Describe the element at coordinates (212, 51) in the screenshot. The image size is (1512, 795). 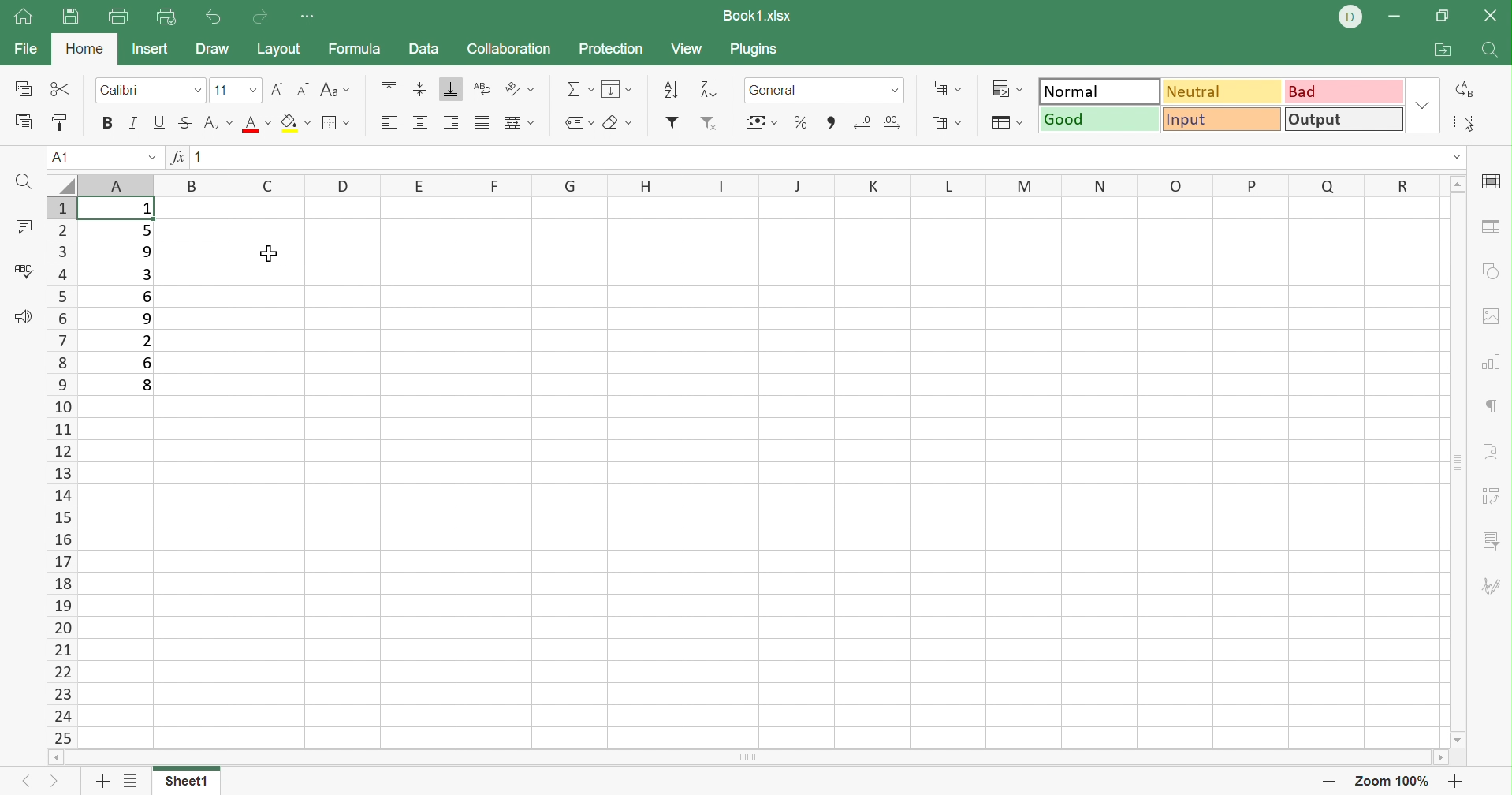
I see `Draw` at that location.